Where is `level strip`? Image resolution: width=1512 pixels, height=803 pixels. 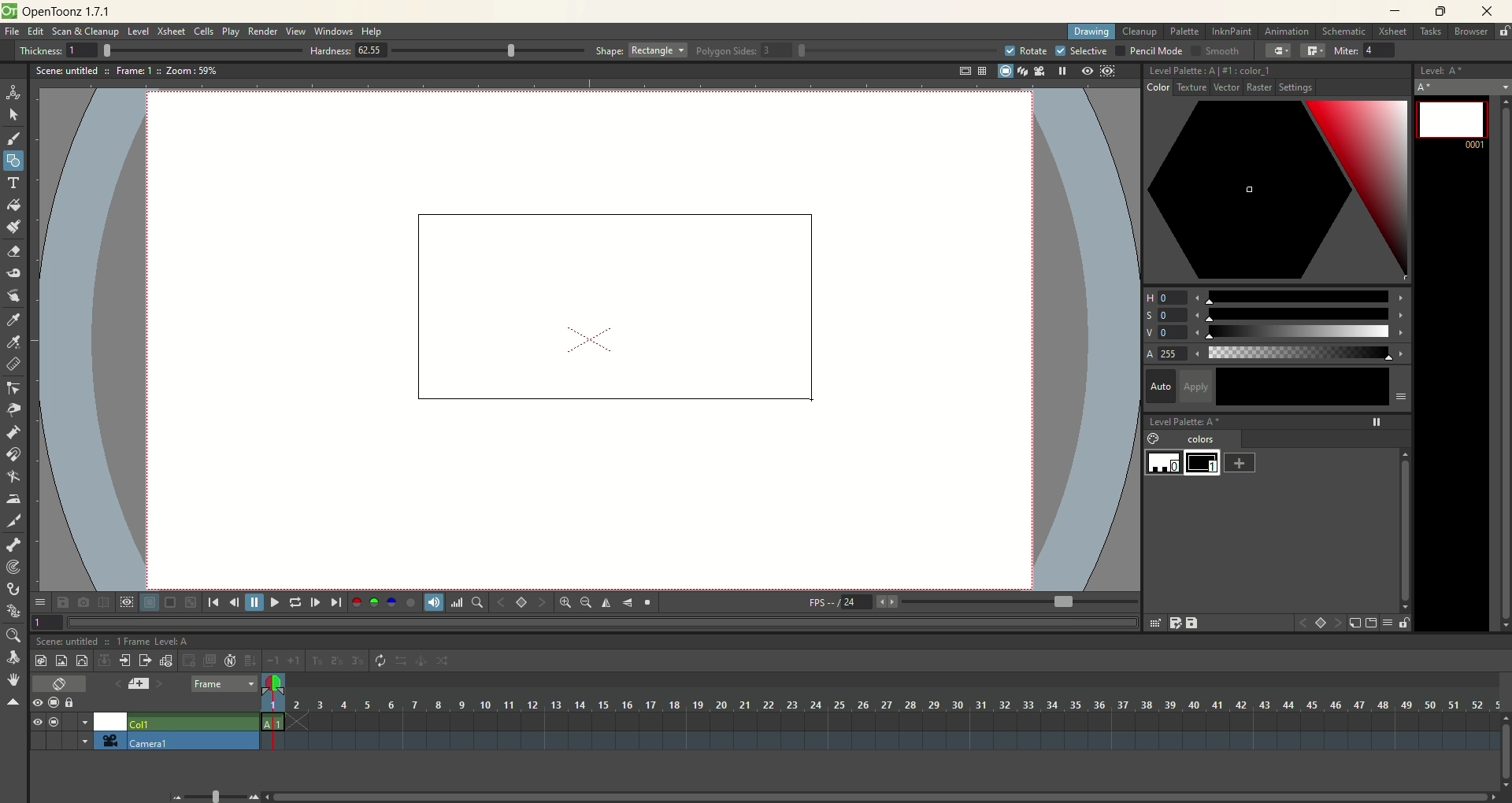
level strip is located at coordinates (1462, 68).